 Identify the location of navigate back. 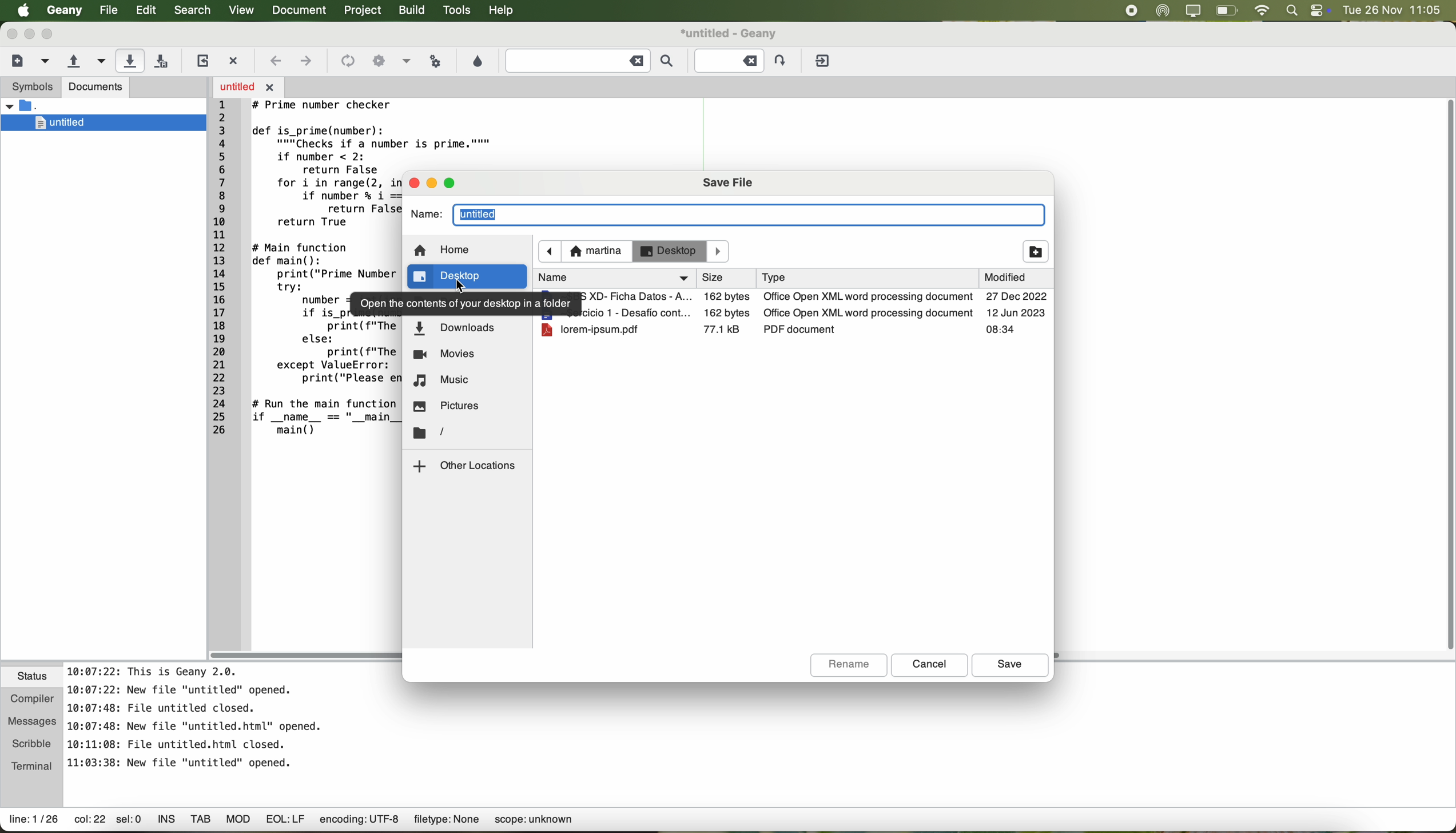
(550, 251).